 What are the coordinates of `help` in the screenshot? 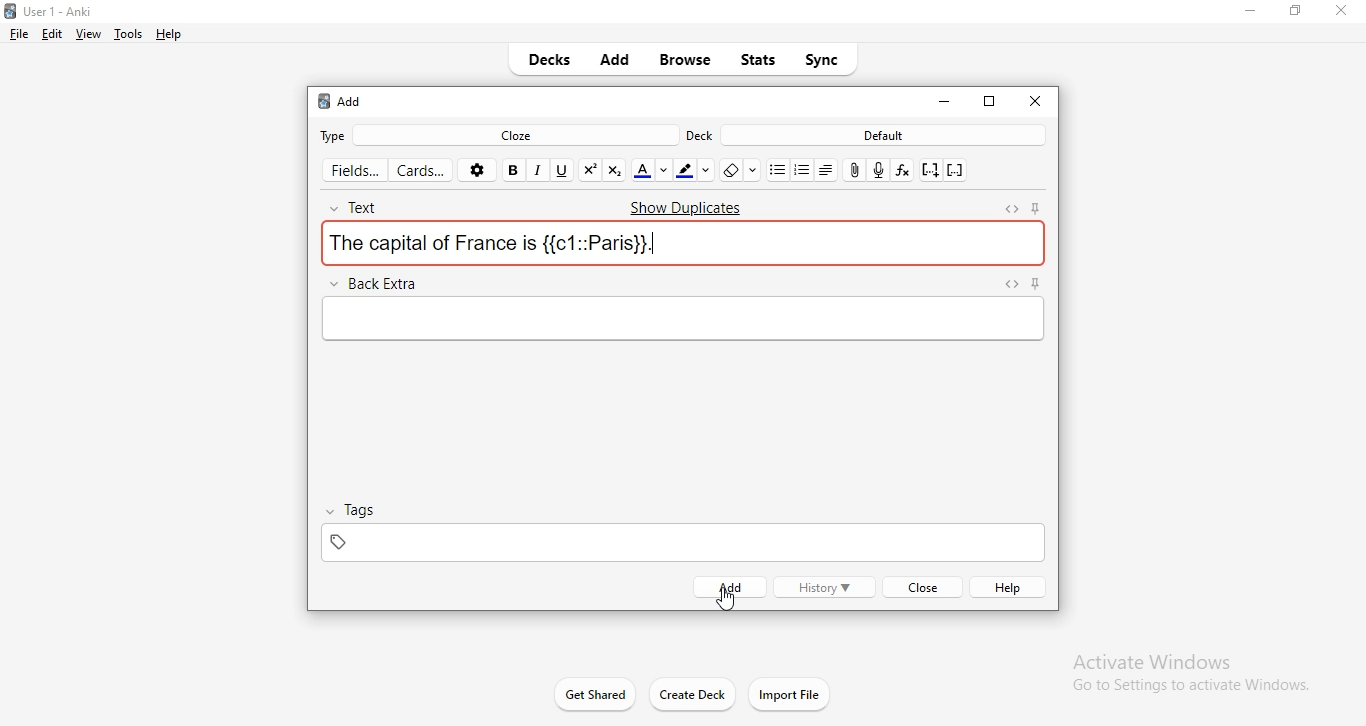 It's located at (1011, 587).